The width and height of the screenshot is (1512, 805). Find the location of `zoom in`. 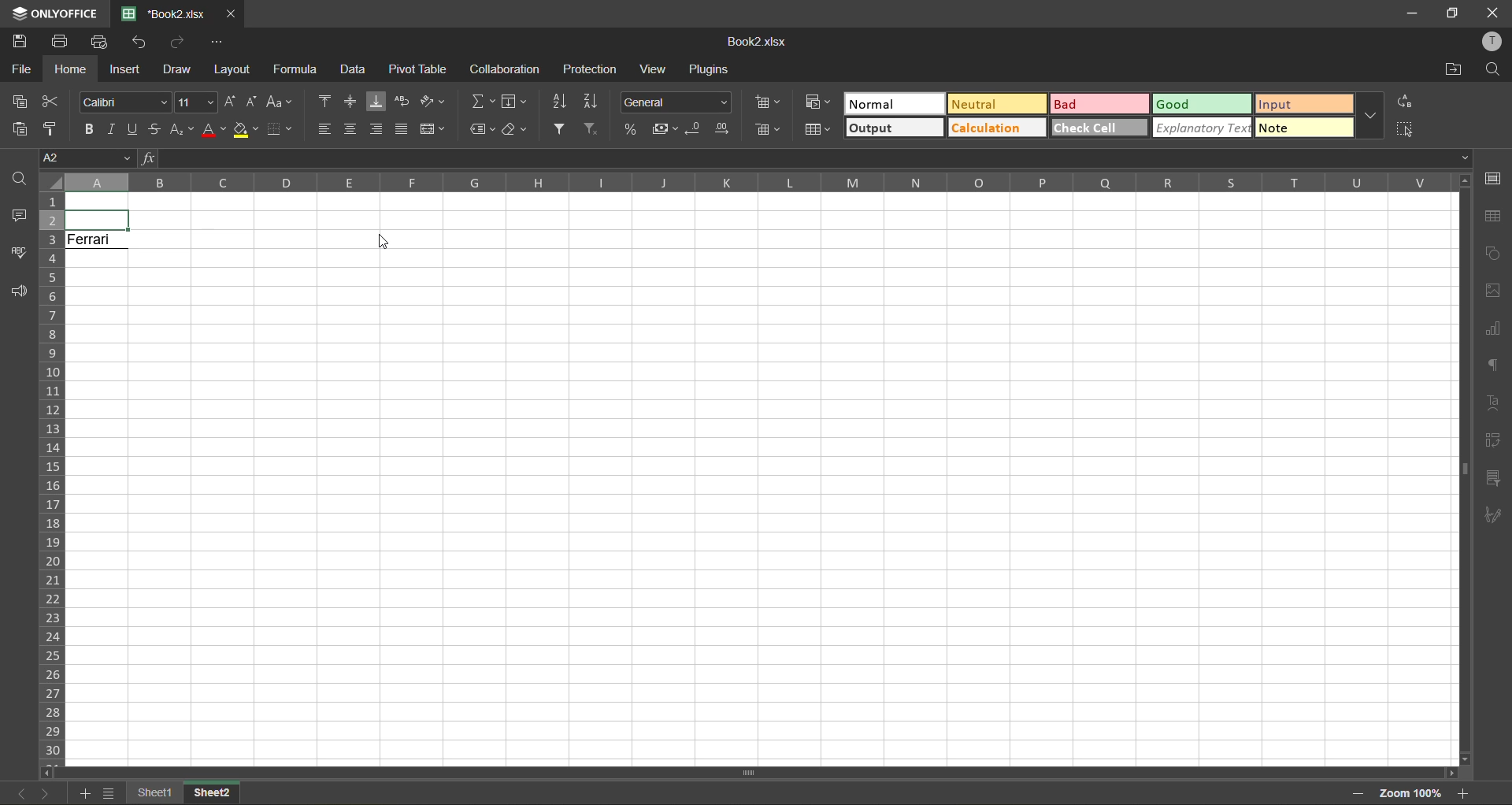

zoom in is located at coordinates (1466, 793).